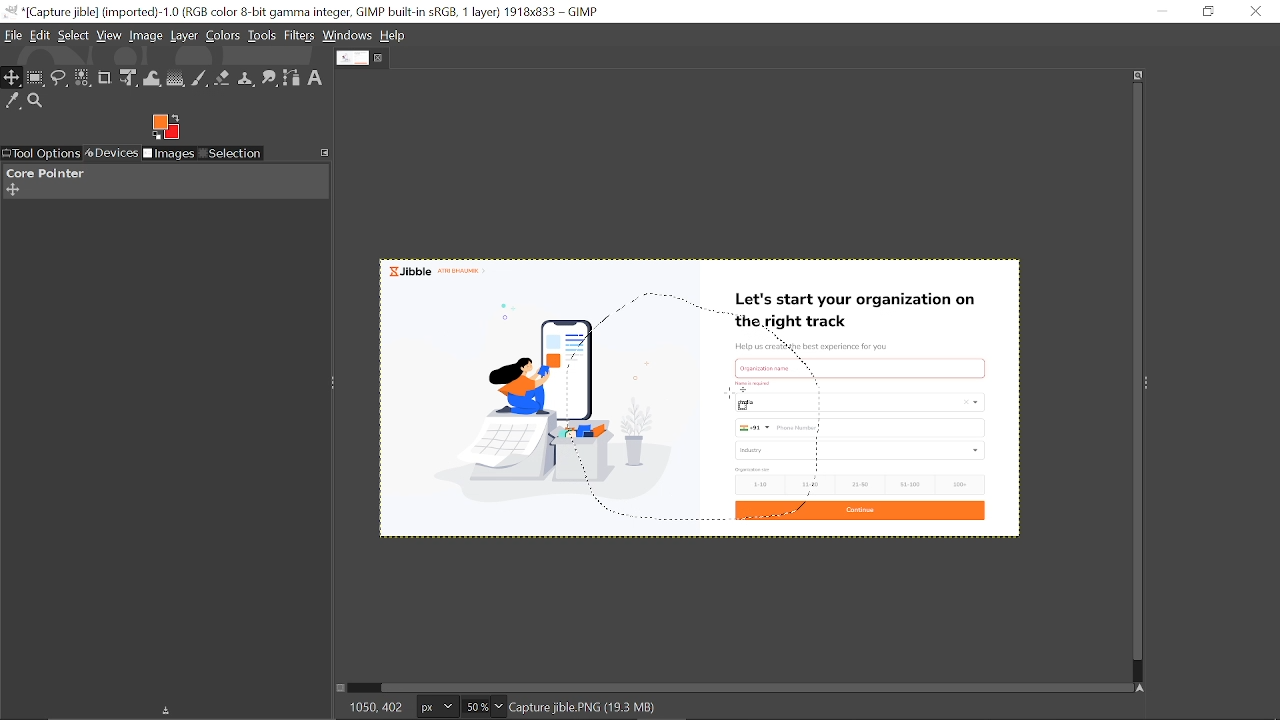 The height and width of the screenshot is (720, 1280). What do you see at coordinates (861, 428) in the screenshot?
I see `Phon Numbers` at bounding box center [861, 428].